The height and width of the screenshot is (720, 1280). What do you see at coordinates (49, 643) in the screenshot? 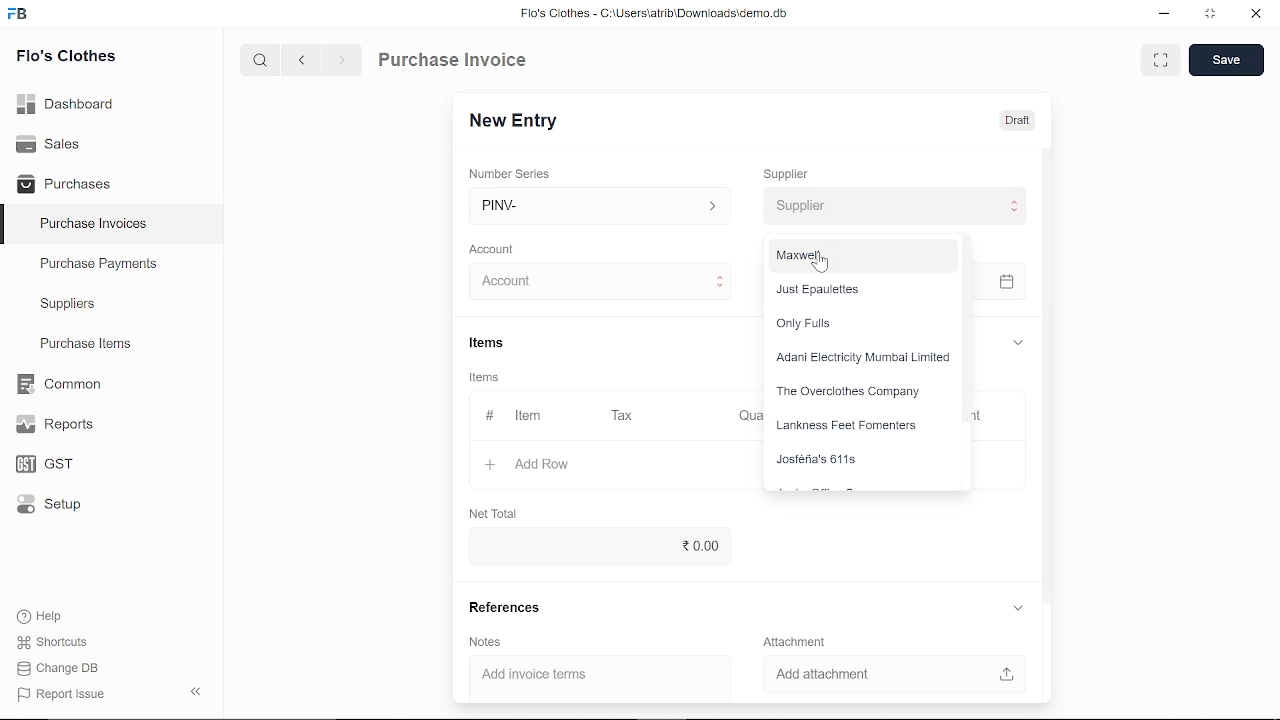
I see `Shortcuts` at bounding box center [49, 643].